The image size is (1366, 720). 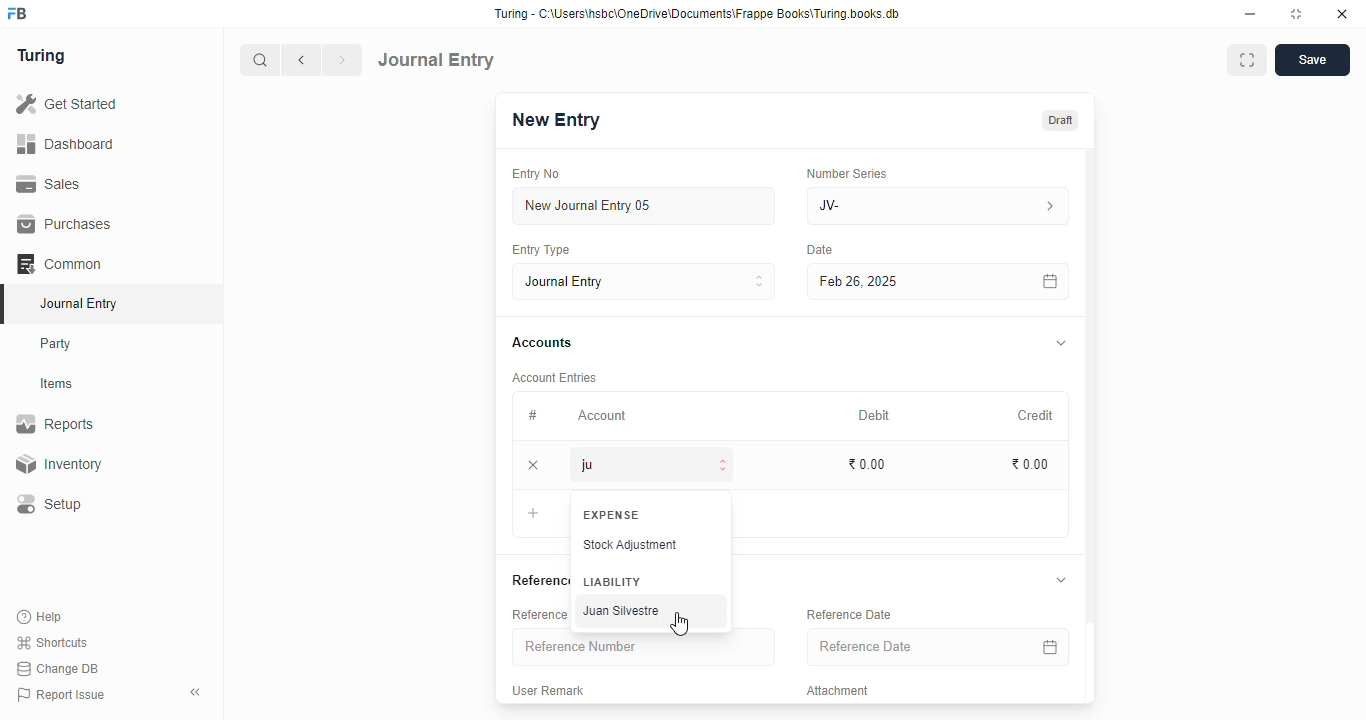 What do you see at coordinates (1062, 344) in the screenshot?
I see `toggle expand/collapse` at bounding box center [1062, 344].